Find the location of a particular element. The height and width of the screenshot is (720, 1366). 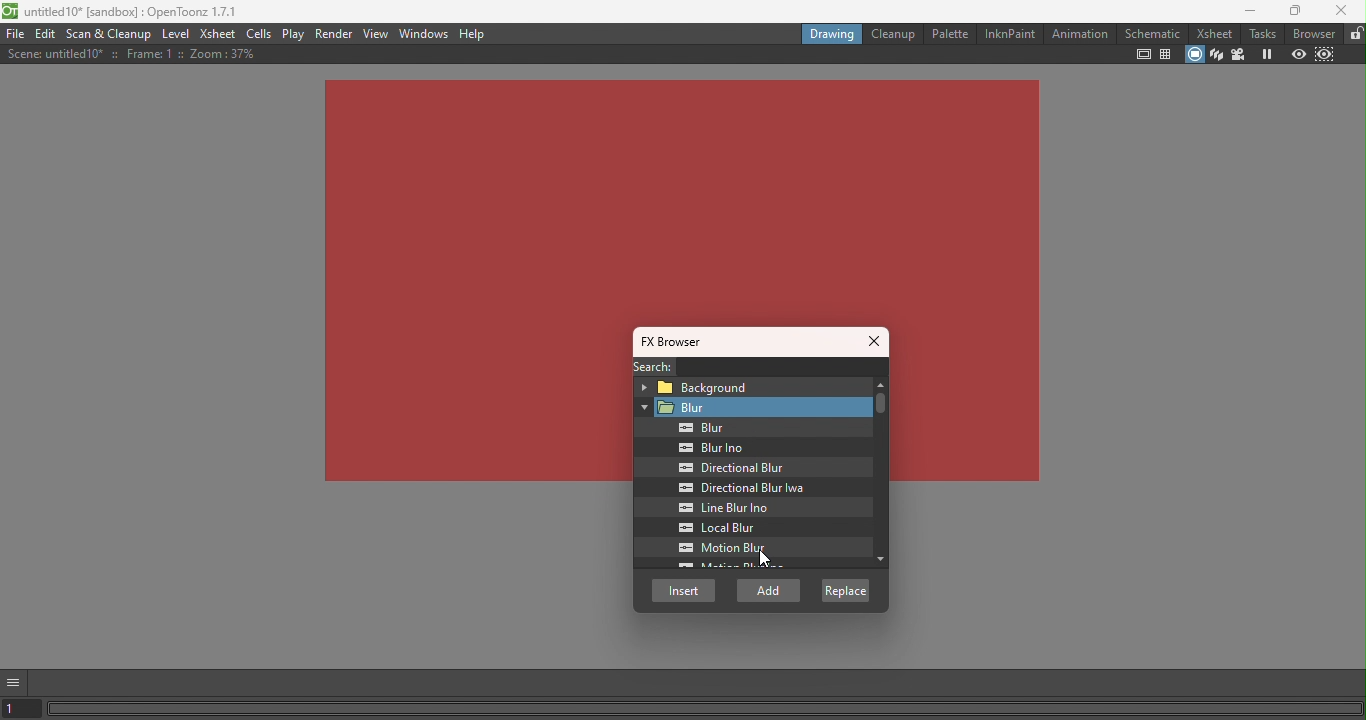

GUI show/hide is located at coordinates (14, 683).